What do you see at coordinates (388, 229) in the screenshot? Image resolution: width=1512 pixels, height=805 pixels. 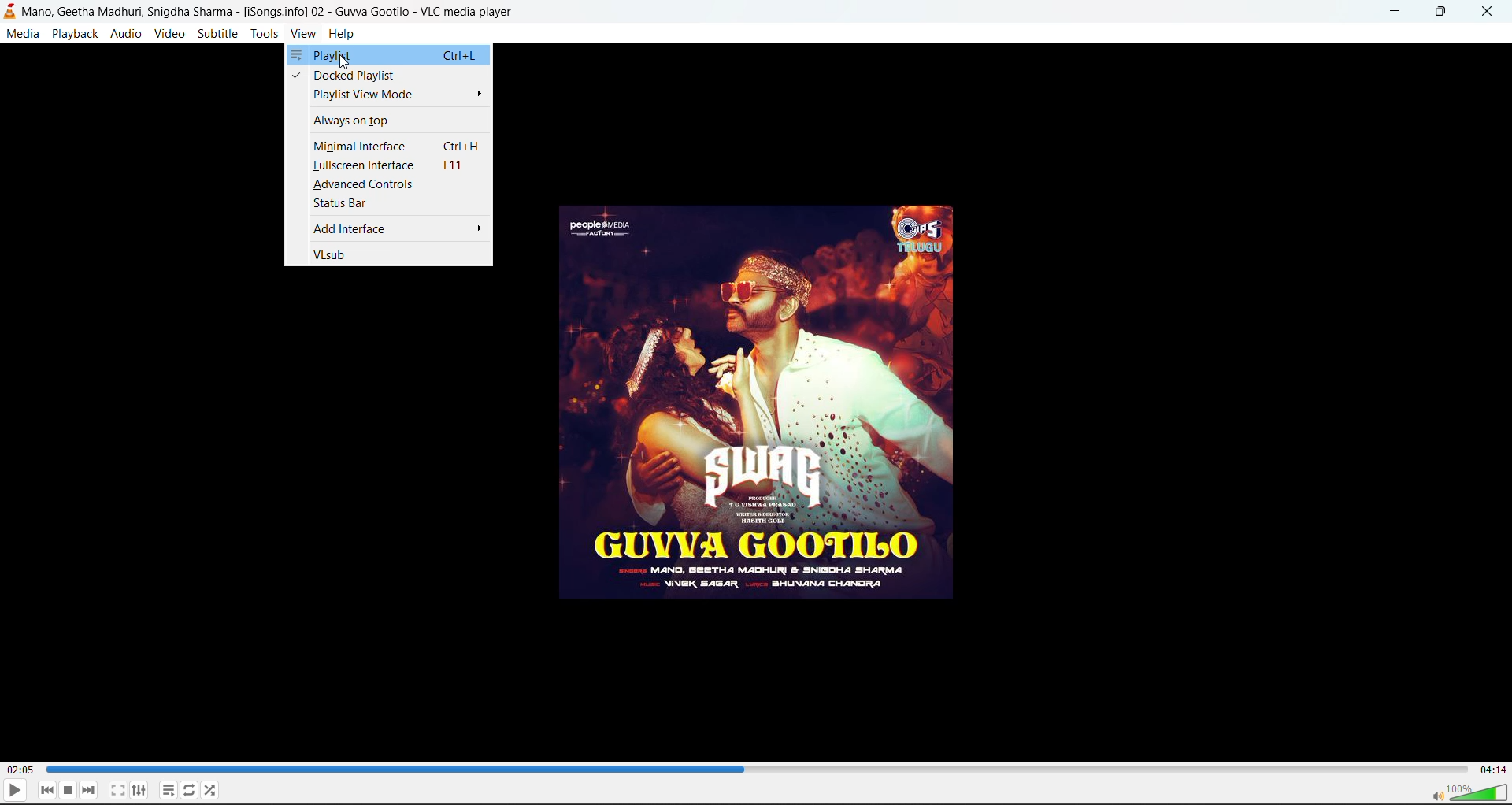 I see `add interface` at bounding box center [388, 229].